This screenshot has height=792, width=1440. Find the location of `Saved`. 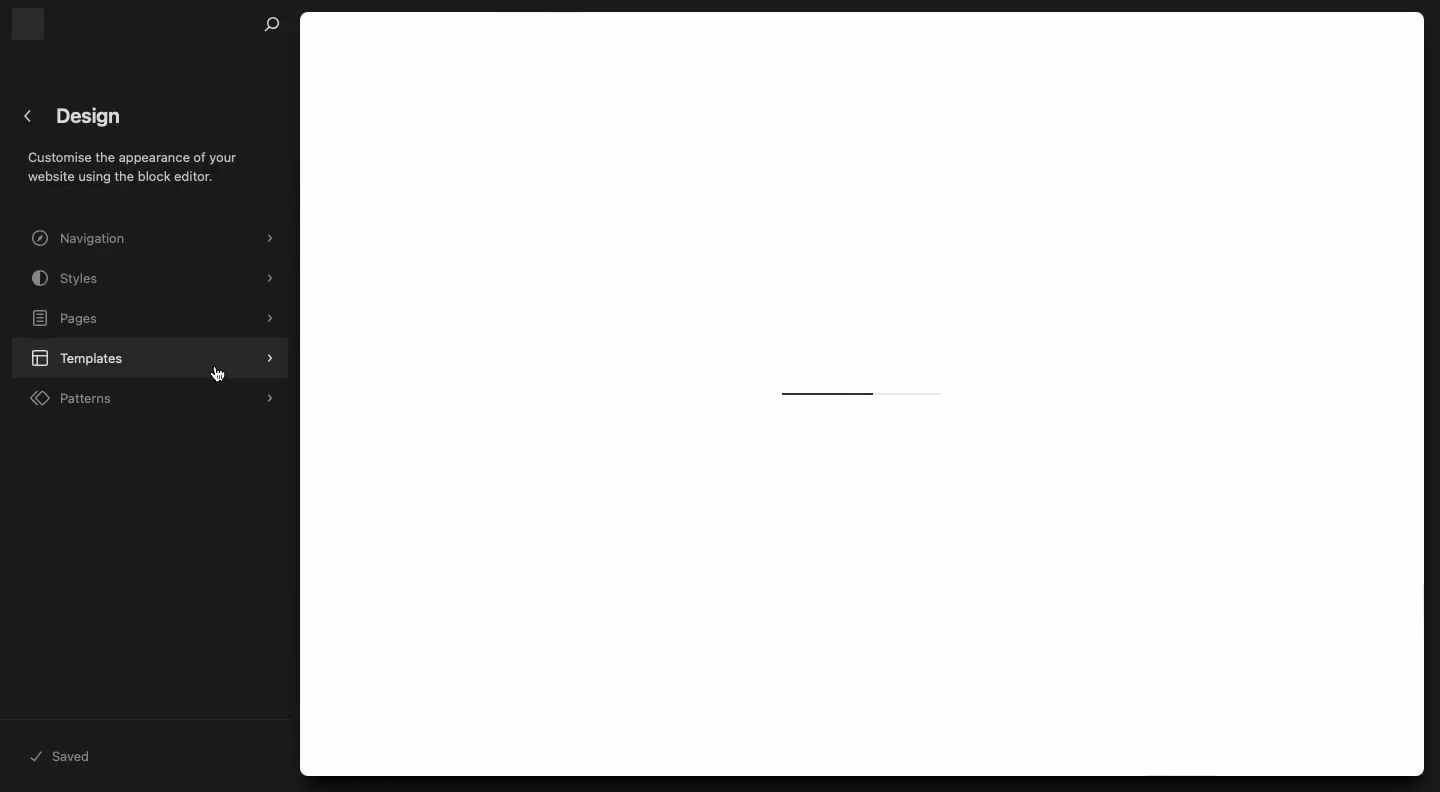

Saved is located at coordinates (70, 755).